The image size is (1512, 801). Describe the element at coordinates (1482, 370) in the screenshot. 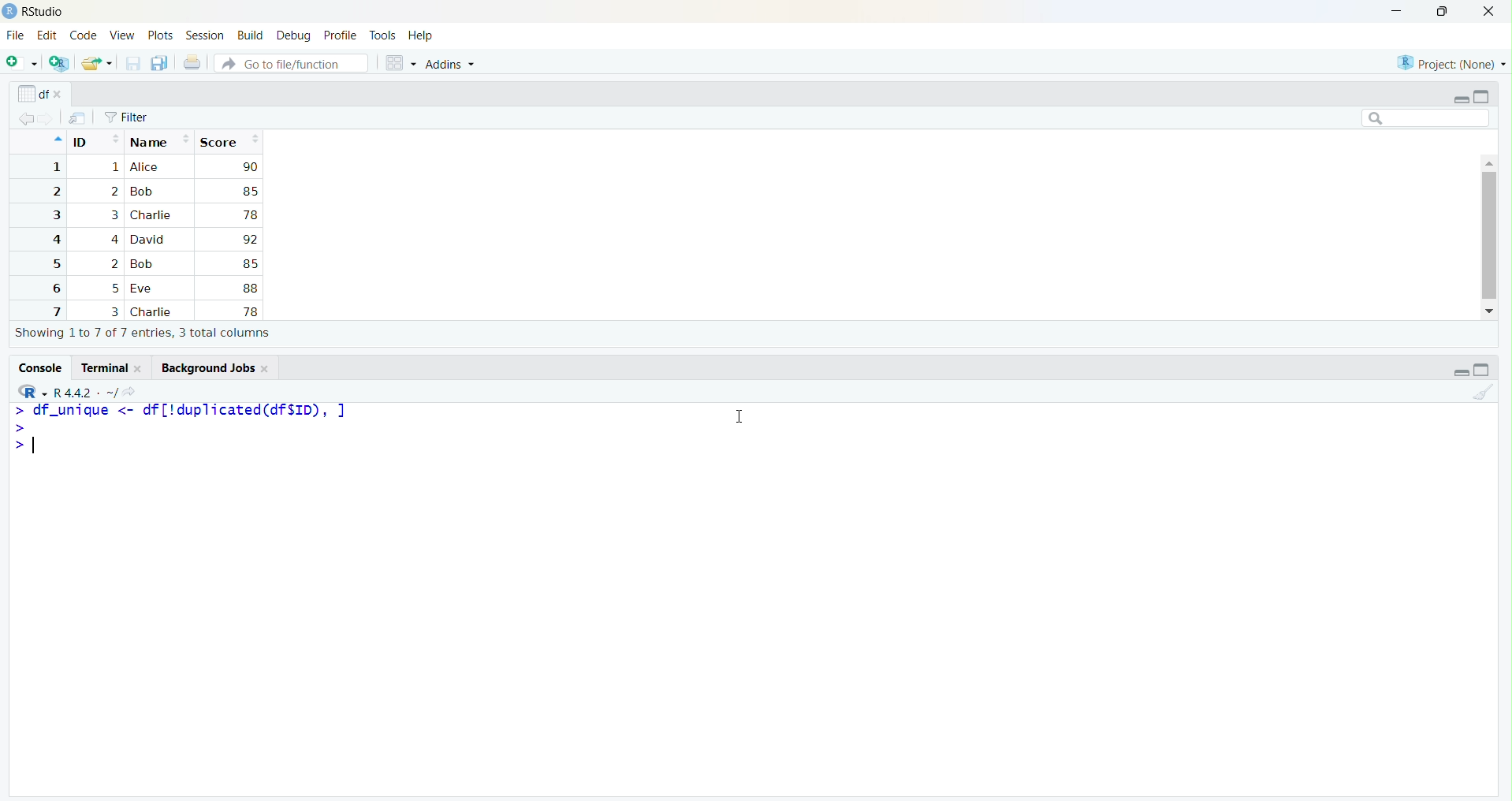

I see `maximize` at that location.